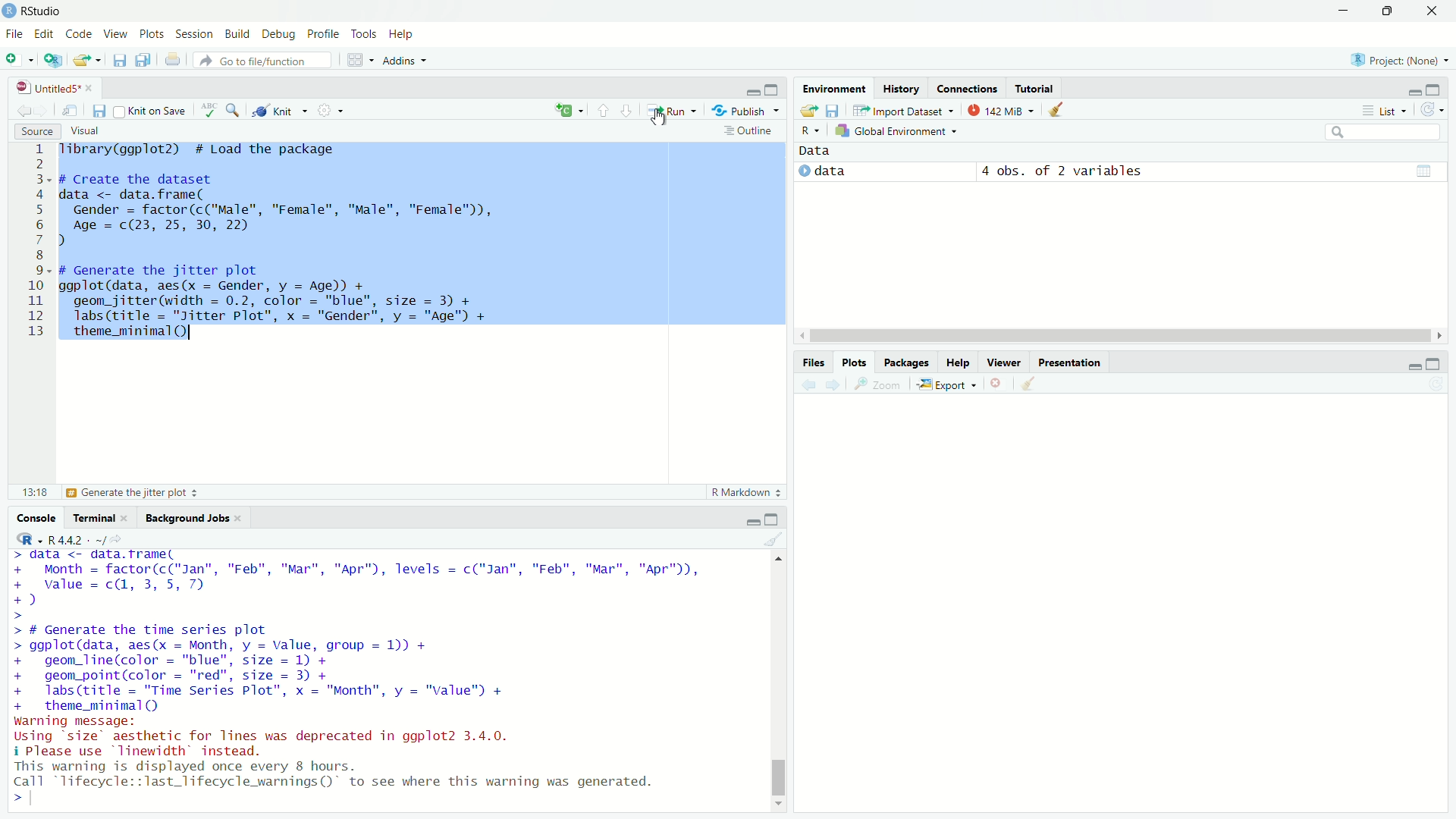 The image size is (1456, 819). Describe the element at coordinates (673, 109) in the screenshot. I see `run the current line or selection` at that location.